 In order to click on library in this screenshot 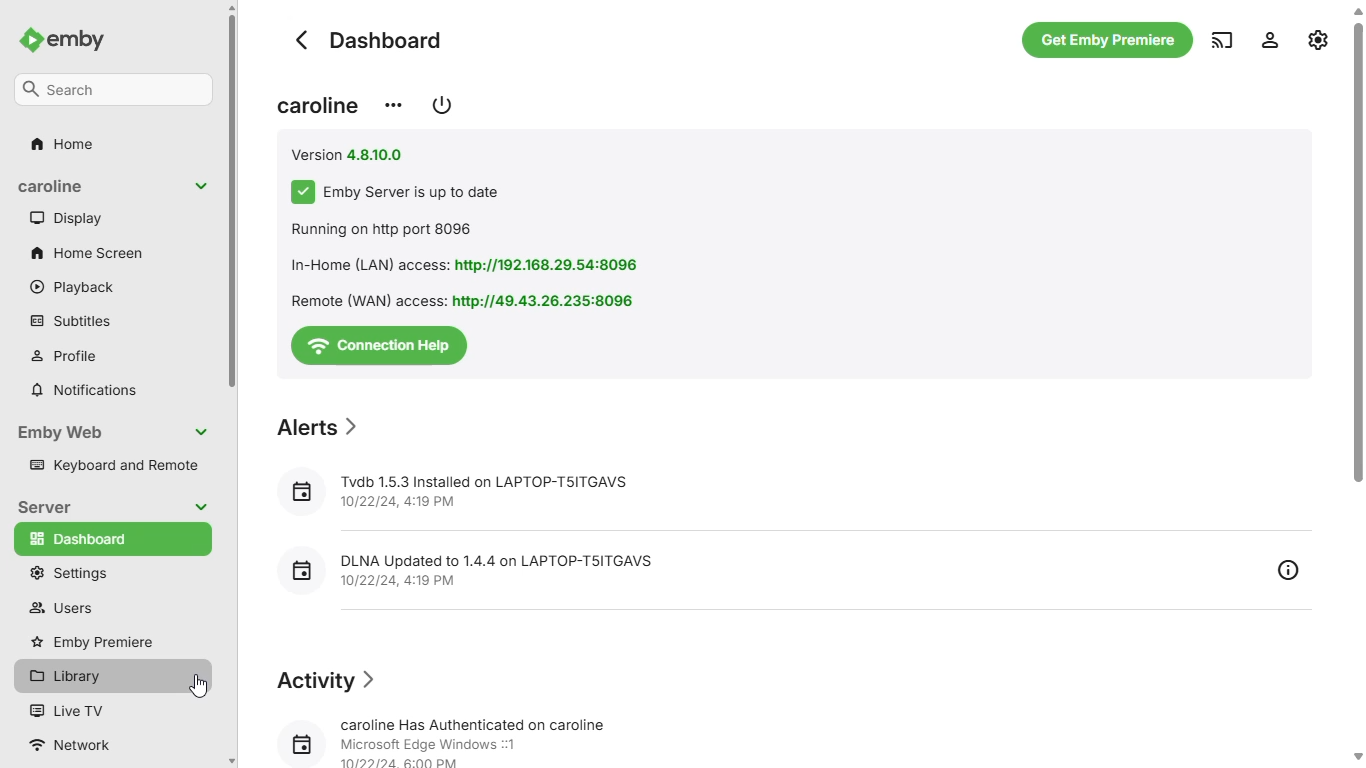, I will do `click(112, 676)`.